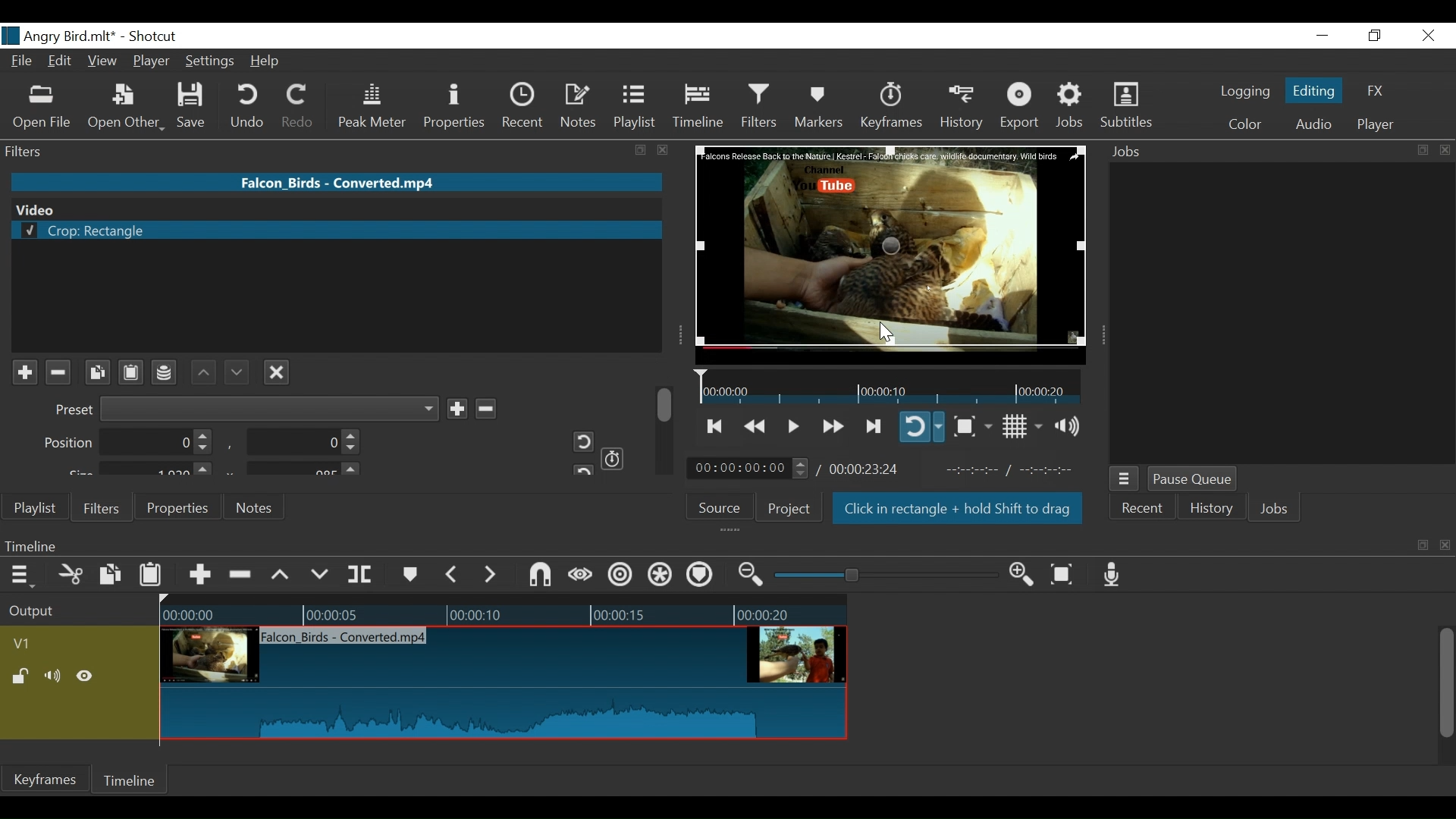 Image resolution: width=1456 pixels, height=819 pixels. What do you see at coordinates (133, 371) in the screenshot?
I see `Clipboard` at bounding box center [133, 371].